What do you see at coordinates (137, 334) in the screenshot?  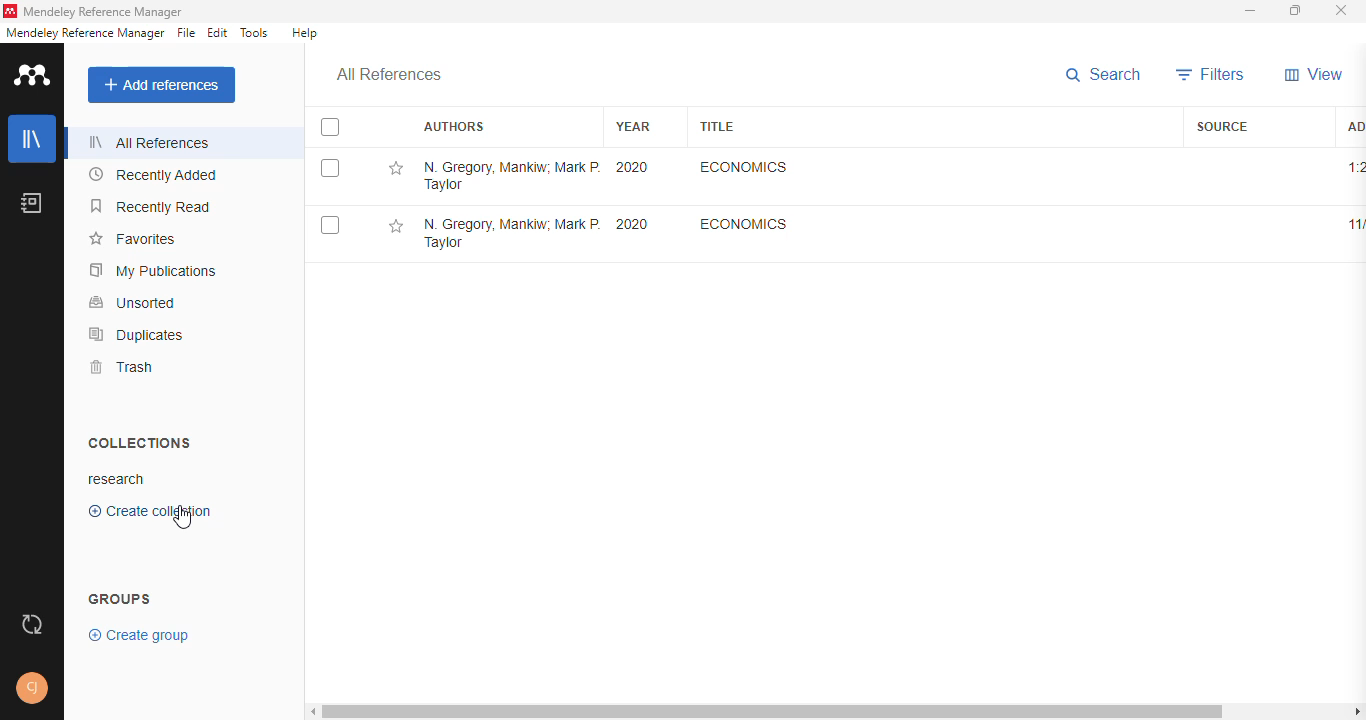 I see `duplicates` at bounding box center [137, 334].